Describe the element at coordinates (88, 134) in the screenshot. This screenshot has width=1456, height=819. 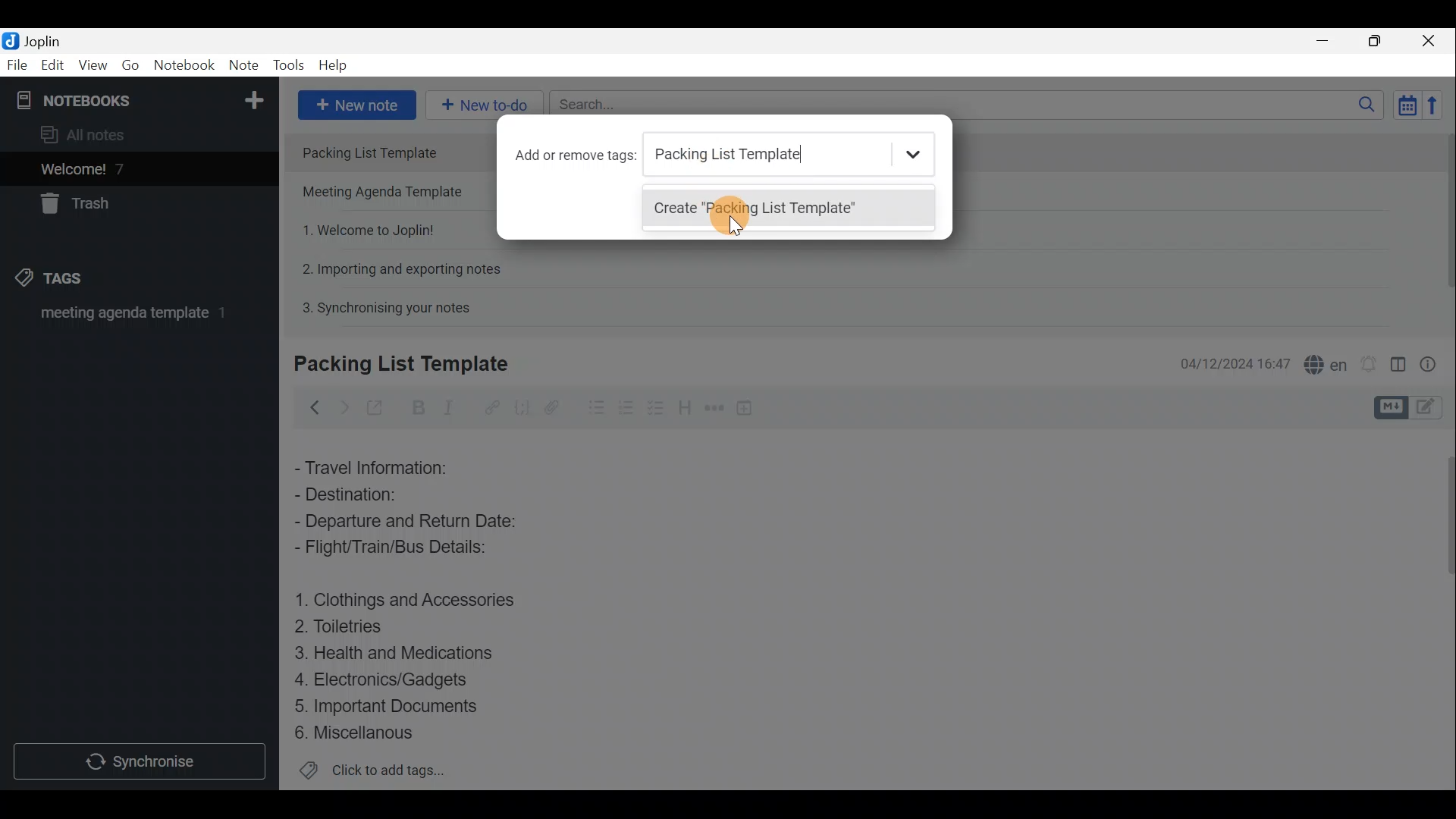
I see `All notes` at that location.